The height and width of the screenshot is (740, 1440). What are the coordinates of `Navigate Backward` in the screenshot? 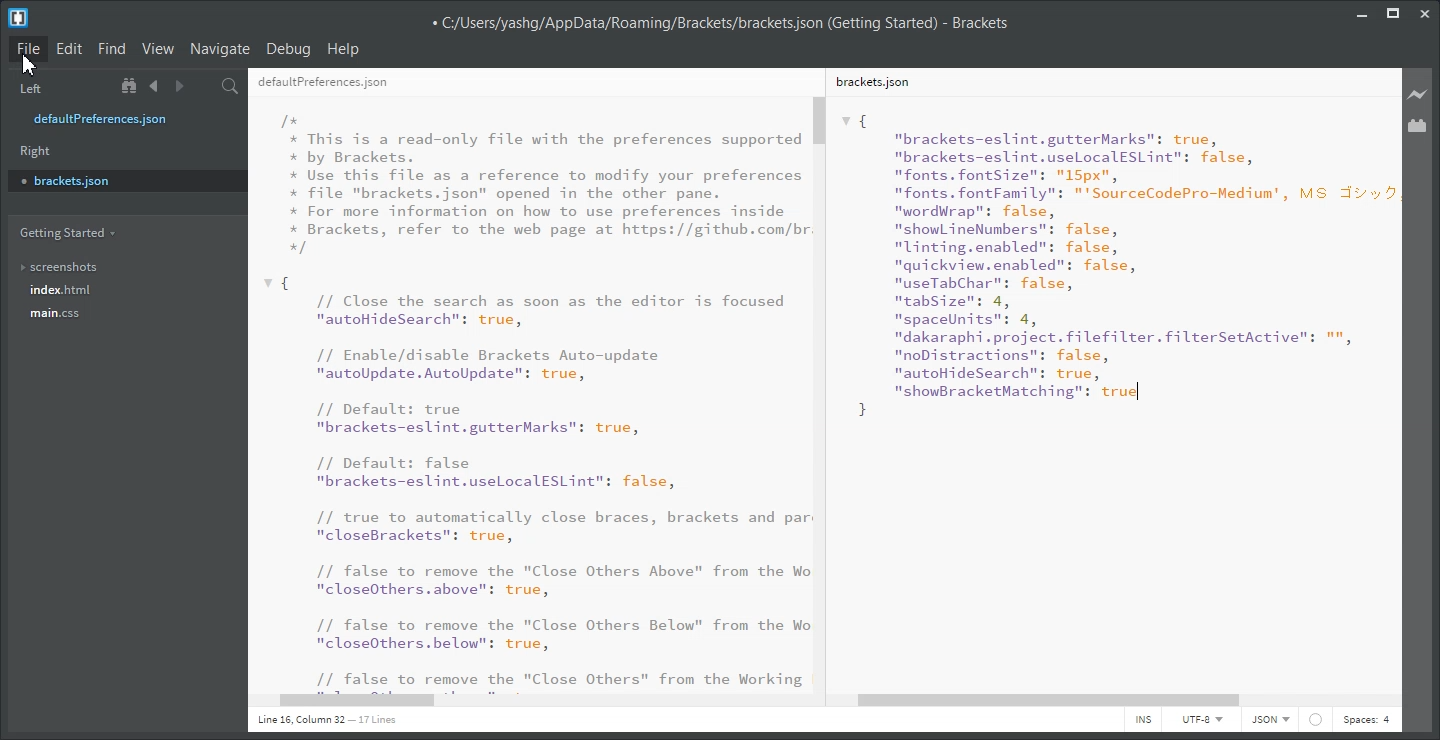 It's located at (154, 86).